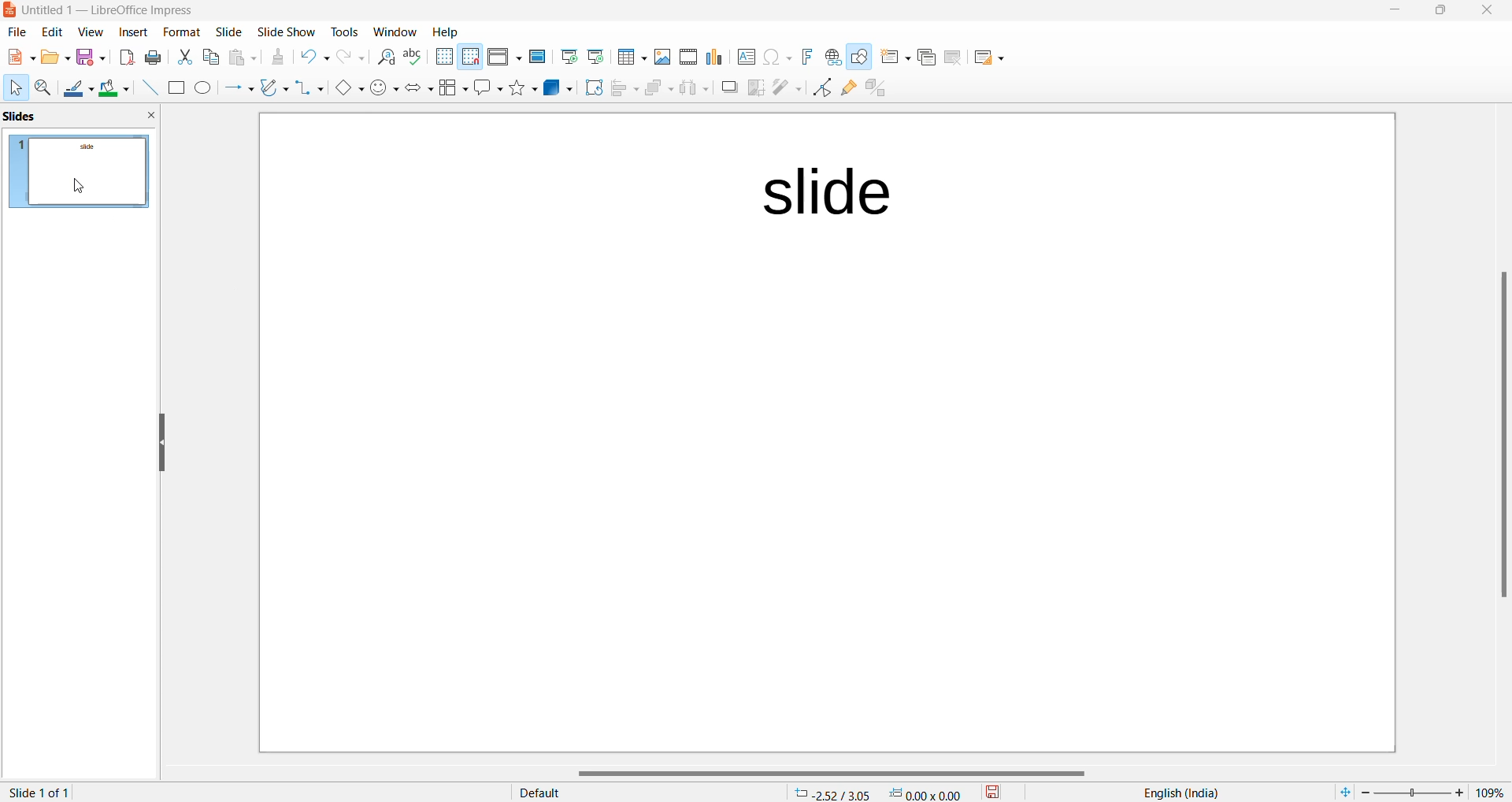 Image resolution: width=1512 pixels, height=802 pixels. Describe the element at coordinates (348, 89) in the screenshot. I see `basic shapes` at that location.